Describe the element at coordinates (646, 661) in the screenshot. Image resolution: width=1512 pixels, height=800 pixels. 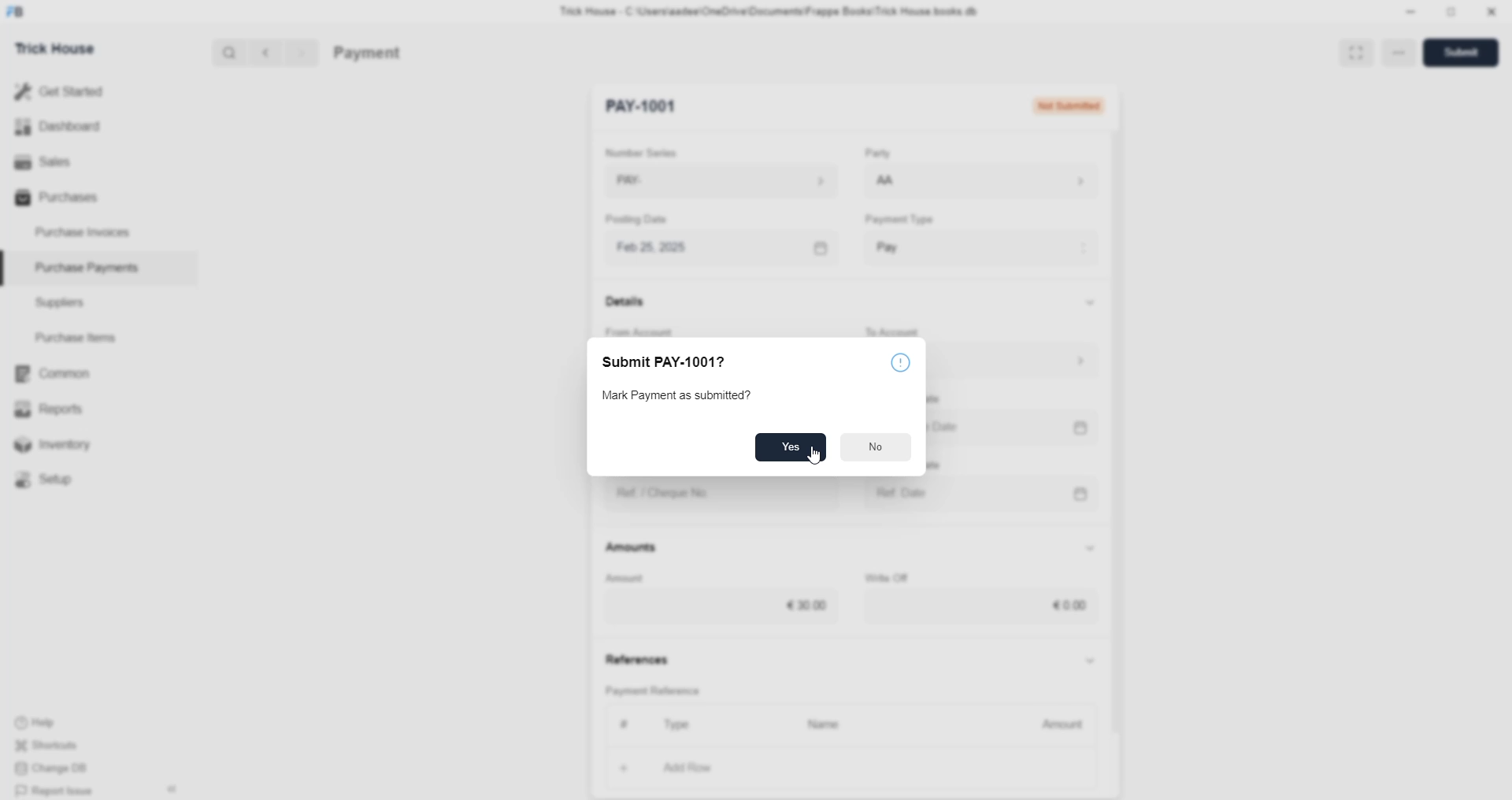
I see `References` at that location.